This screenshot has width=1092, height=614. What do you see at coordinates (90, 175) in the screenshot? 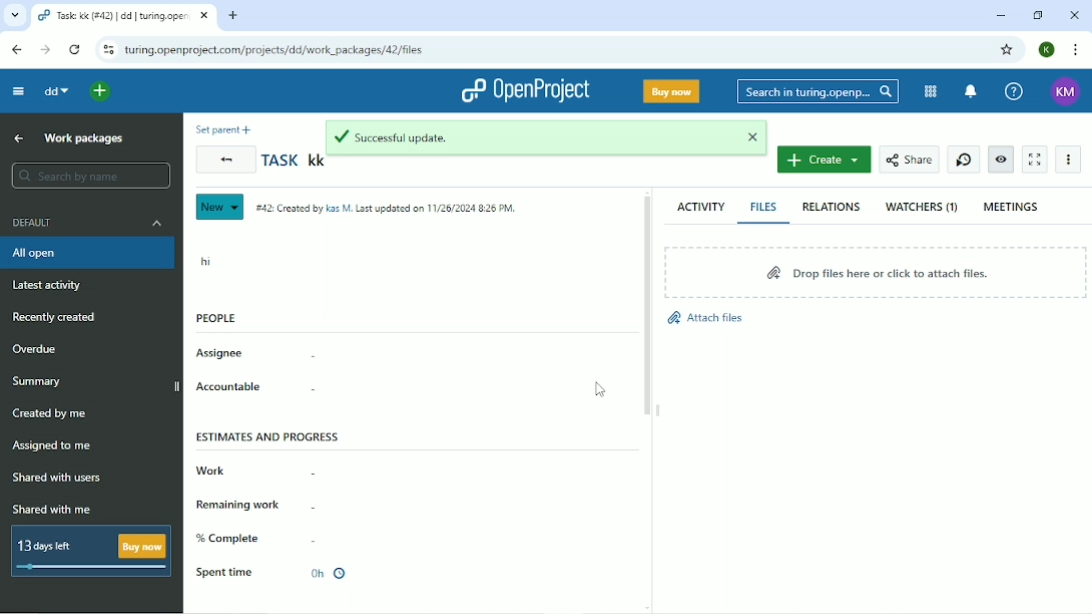
I see `Search by name` at bounding box center [90, 175].